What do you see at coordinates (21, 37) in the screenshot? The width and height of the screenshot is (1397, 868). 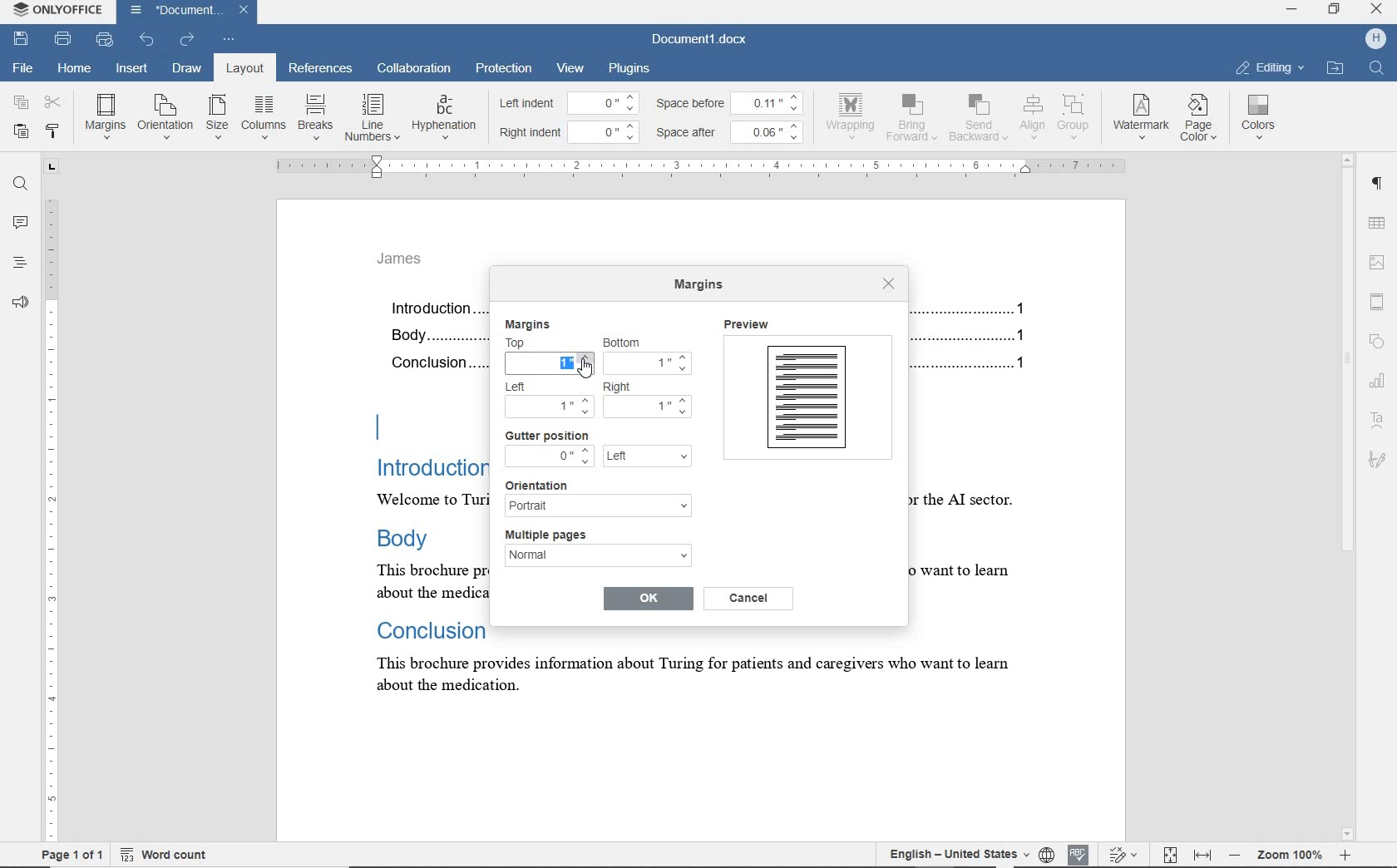 I see `save` at bounding box center [21, 37].